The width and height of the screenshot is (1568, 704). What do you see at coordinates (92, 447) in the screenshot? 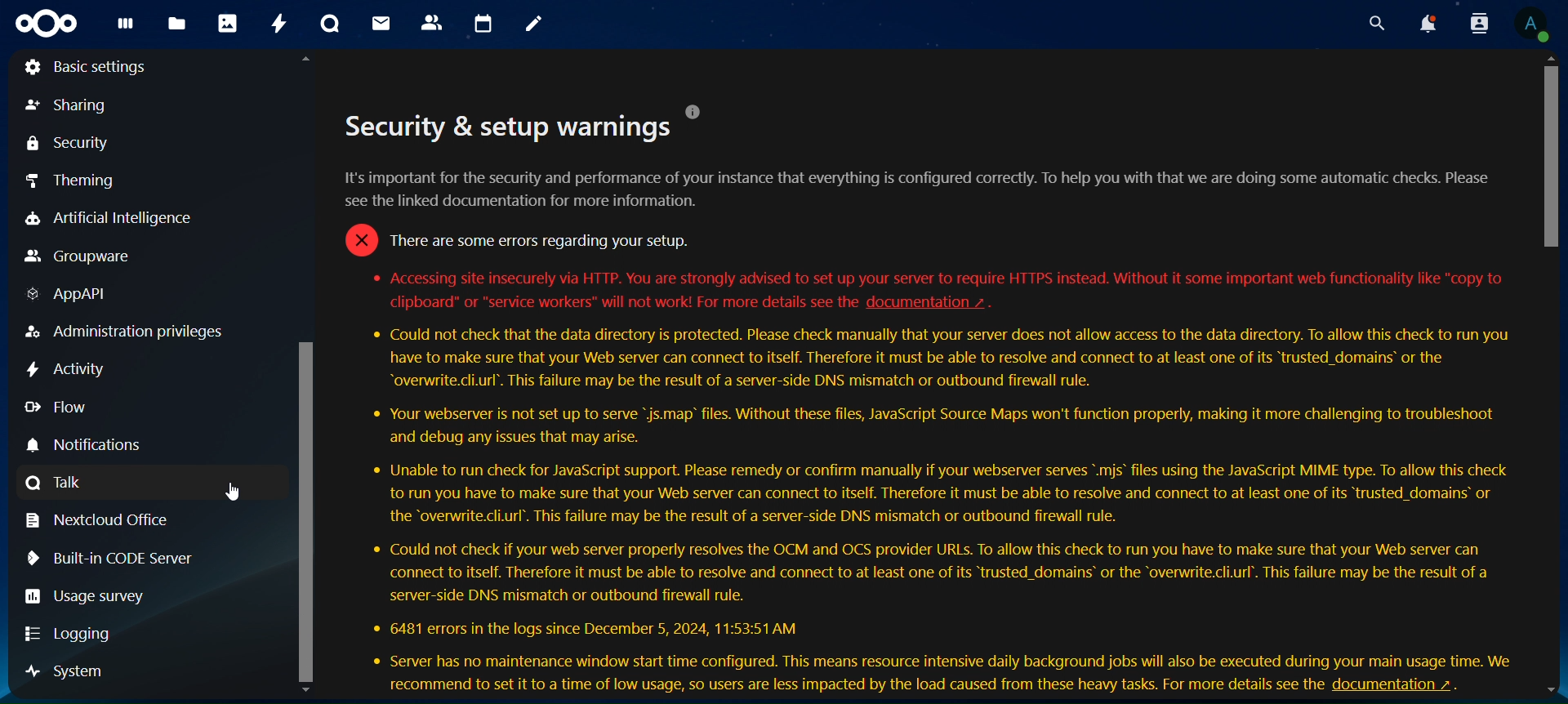
I see `Notifications` at bounding box center [92, 447].